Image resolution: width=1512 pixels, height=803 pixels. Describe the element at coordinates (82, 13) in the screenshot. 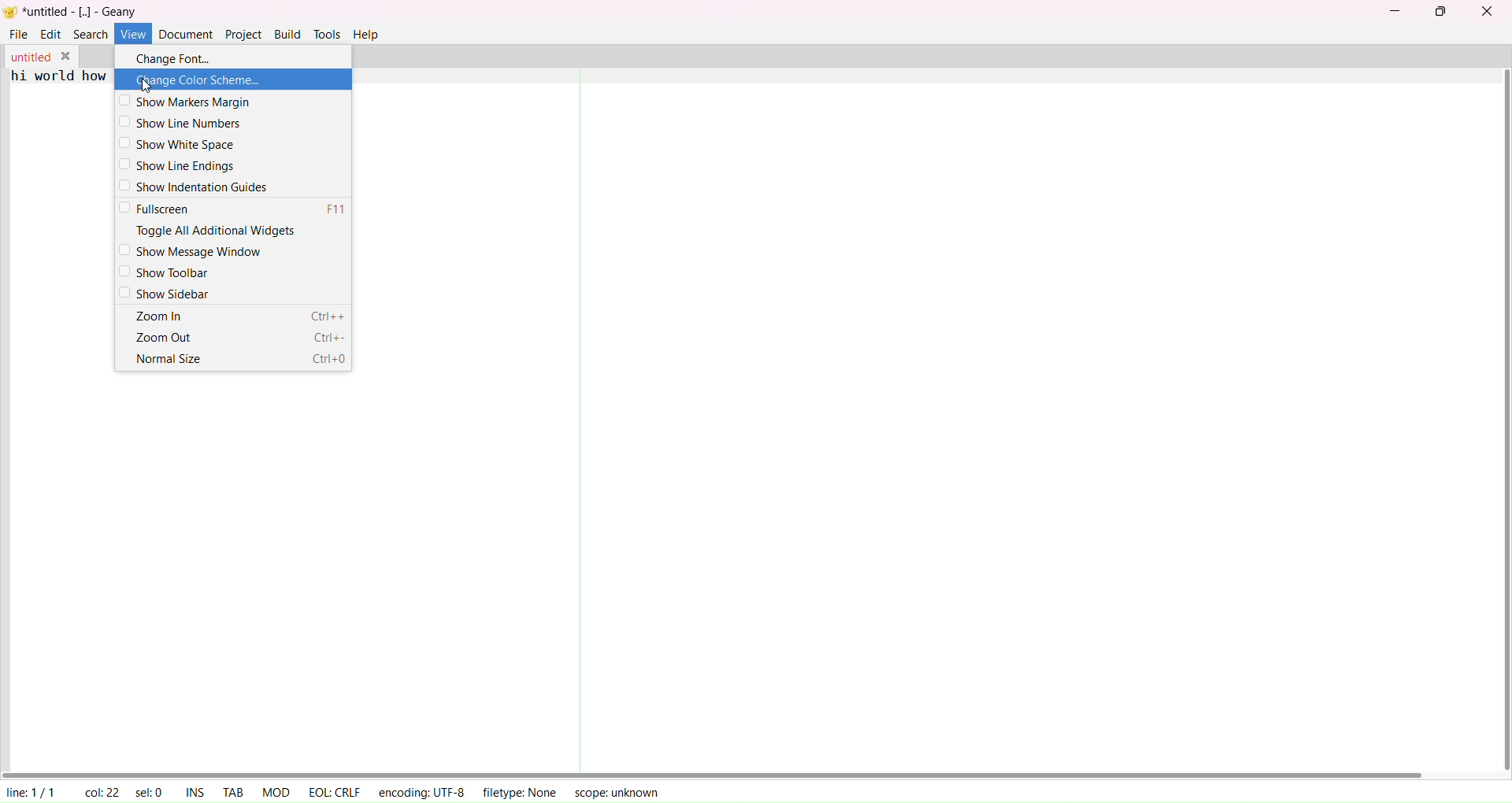

I see `title` at that location.